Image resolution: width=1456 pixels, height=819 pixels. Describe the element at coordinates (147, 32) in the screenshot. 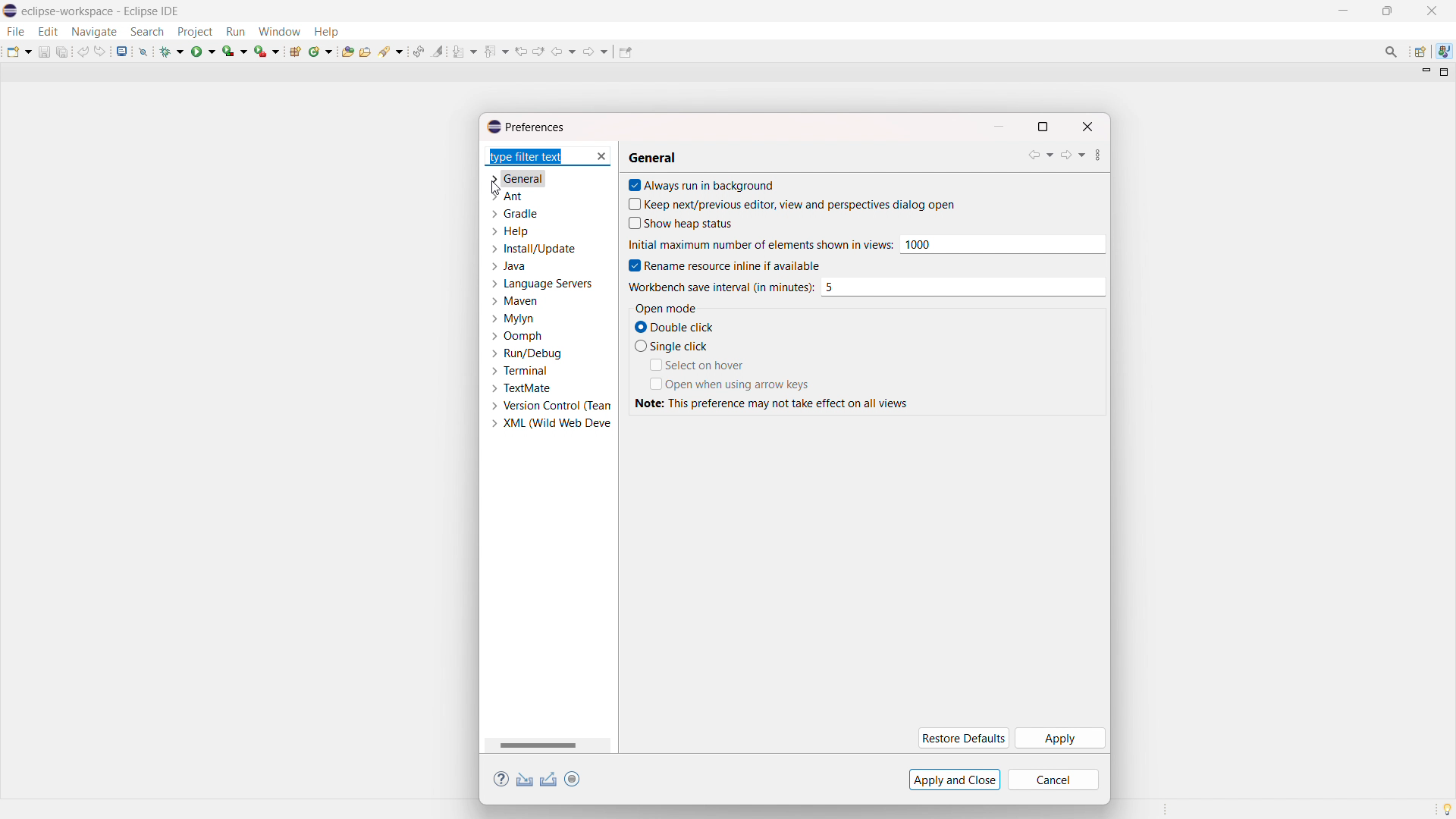

I see `search` at that location.